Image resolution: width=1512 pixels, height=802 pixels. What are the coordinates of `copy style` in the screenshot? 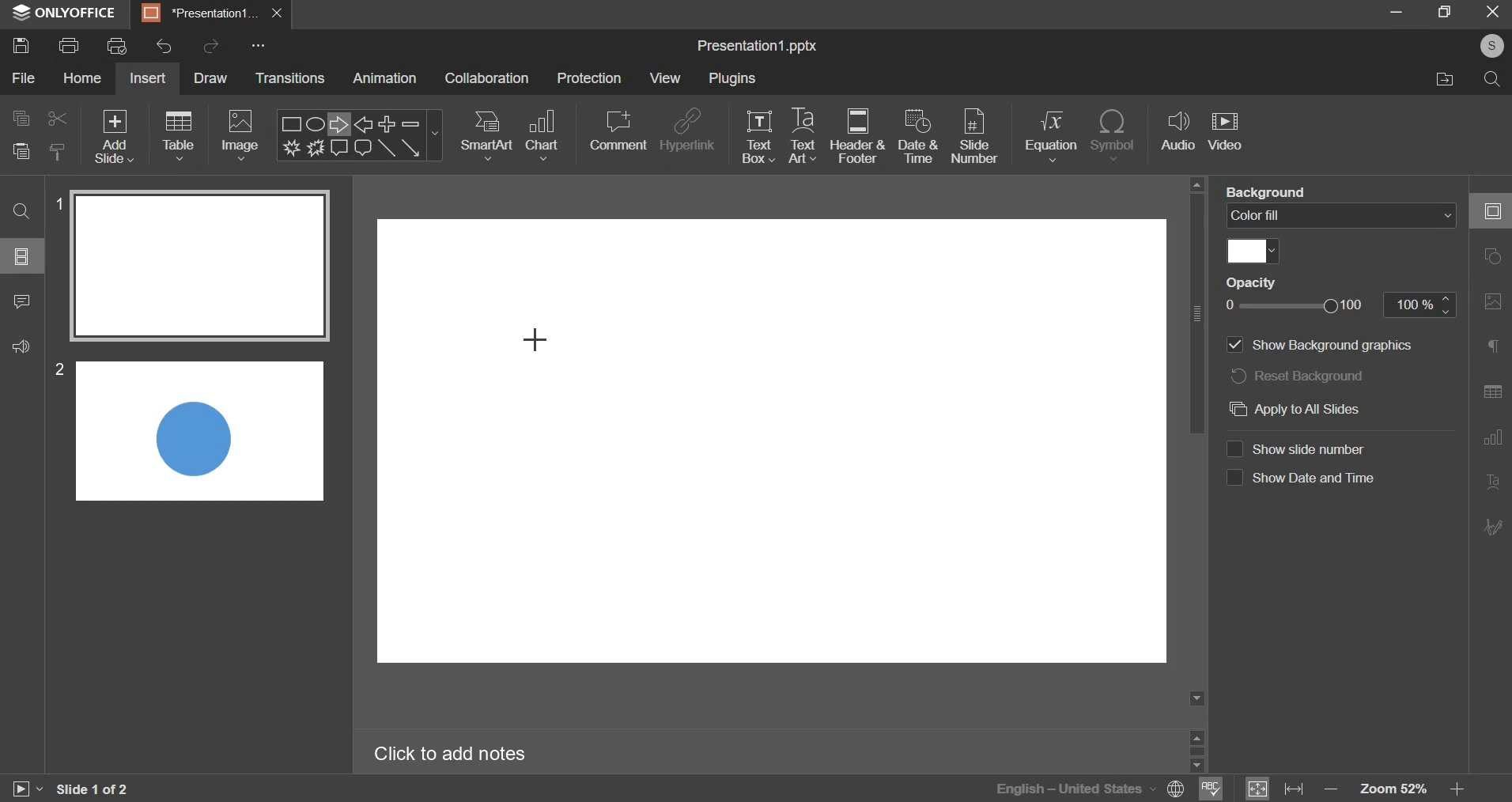 It's located at (58, 151).